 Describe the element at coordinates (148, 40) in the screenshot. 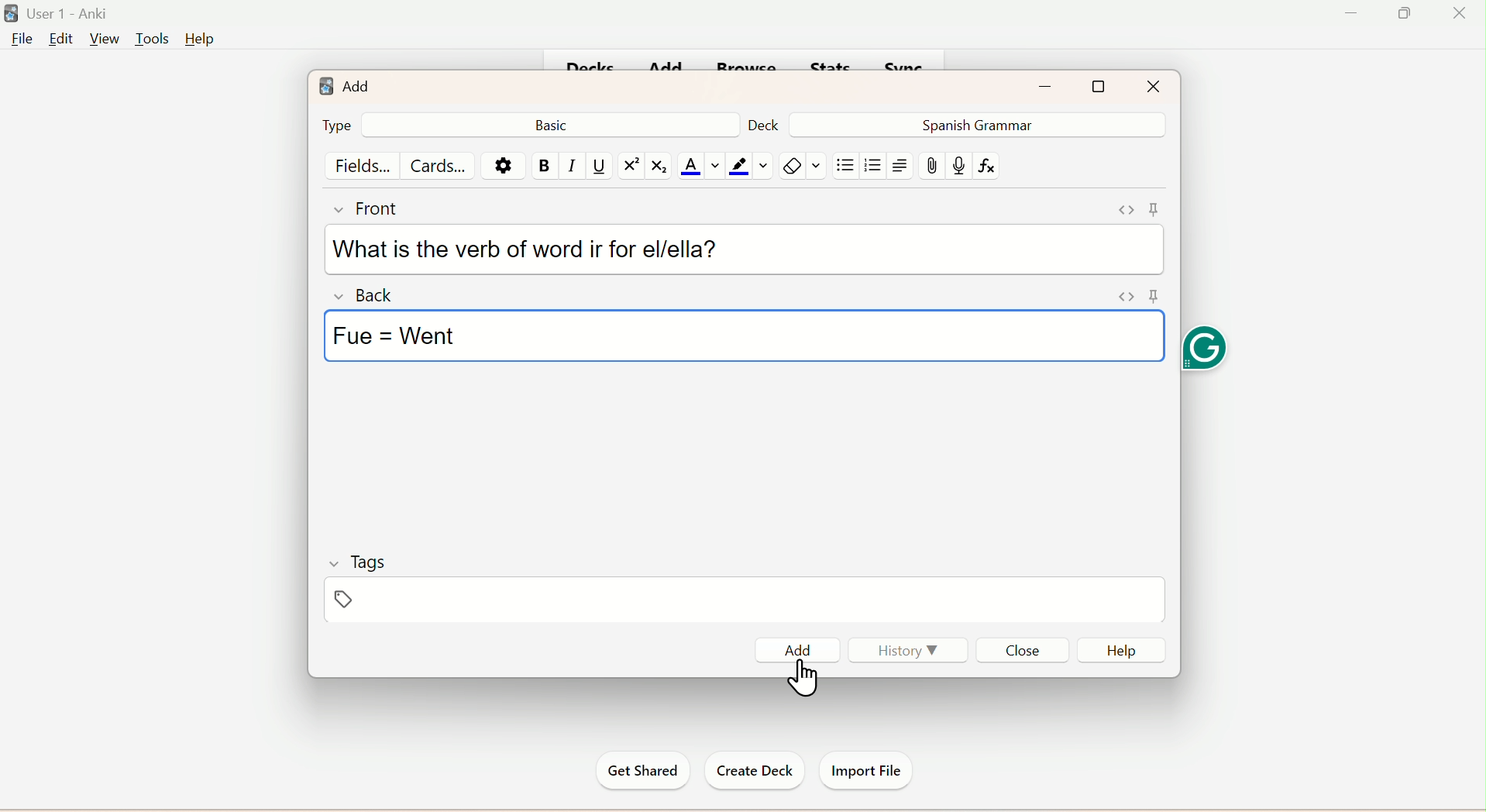

I see `Tools` at that location.